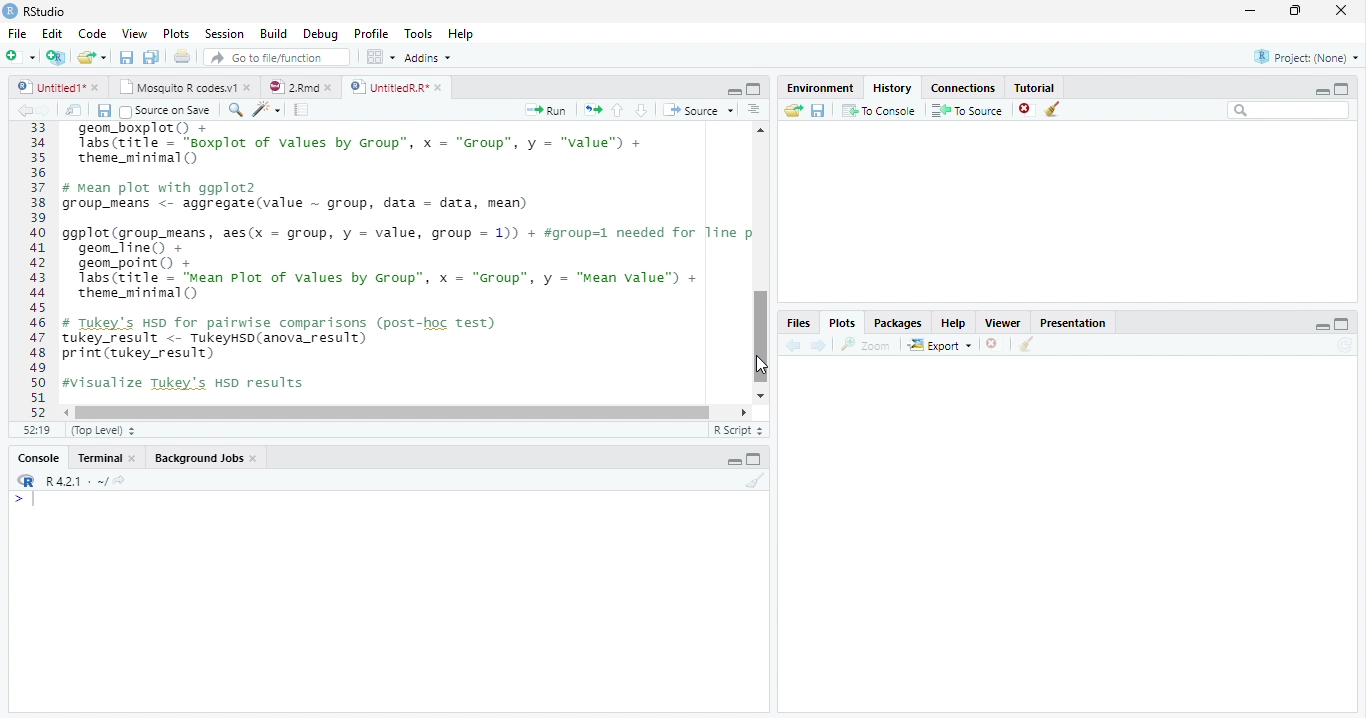 Image resolution: width=1366 pixels, height=718 pixels. Describe the element at coordinates (965, 86) in the screenshot. I see `Connections` at that location.